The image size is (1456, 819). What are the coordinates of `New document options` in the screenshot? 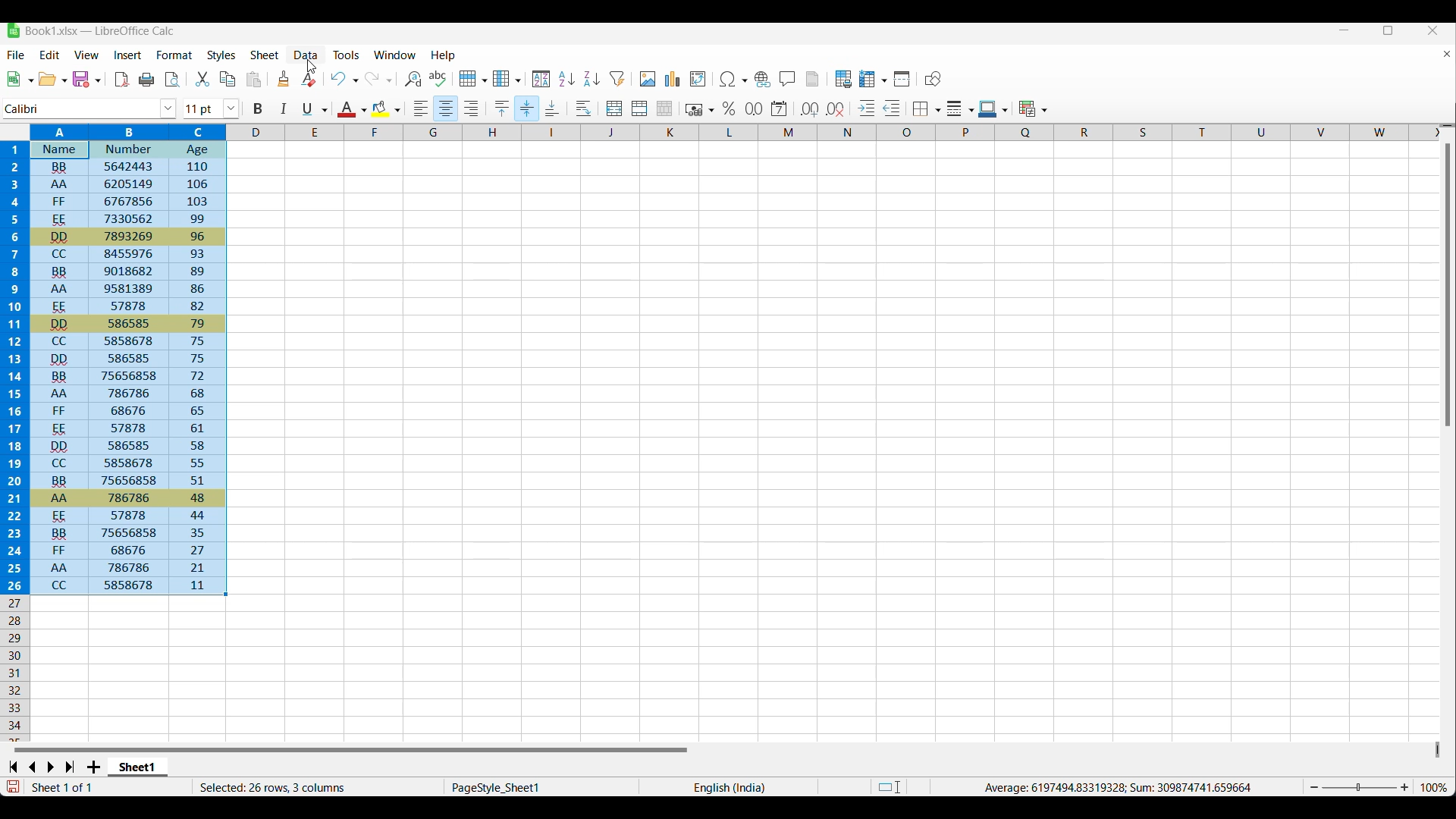 It's located at (20, 79).